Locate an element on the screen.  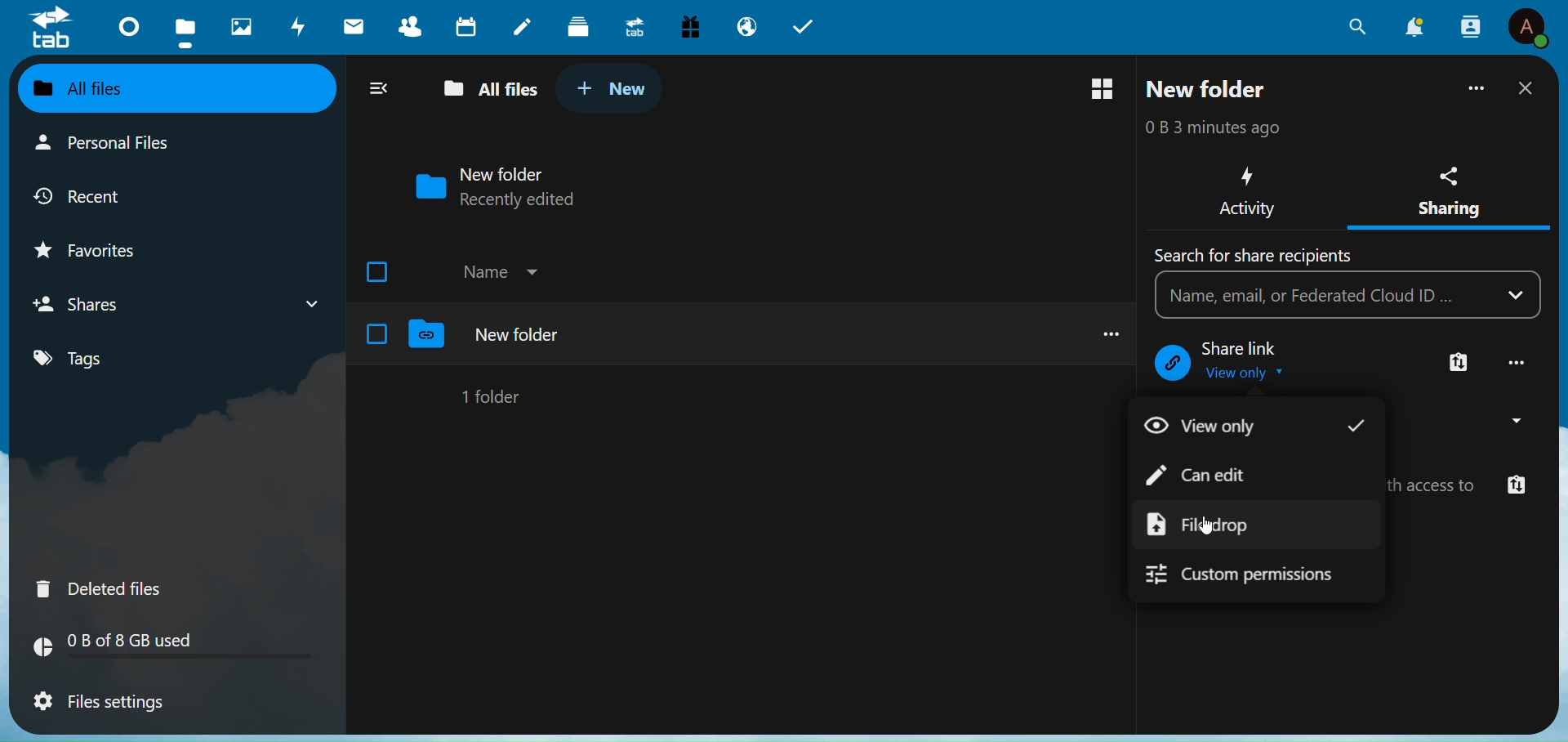
Switch to grid view is located at coordinates (1103, 89).